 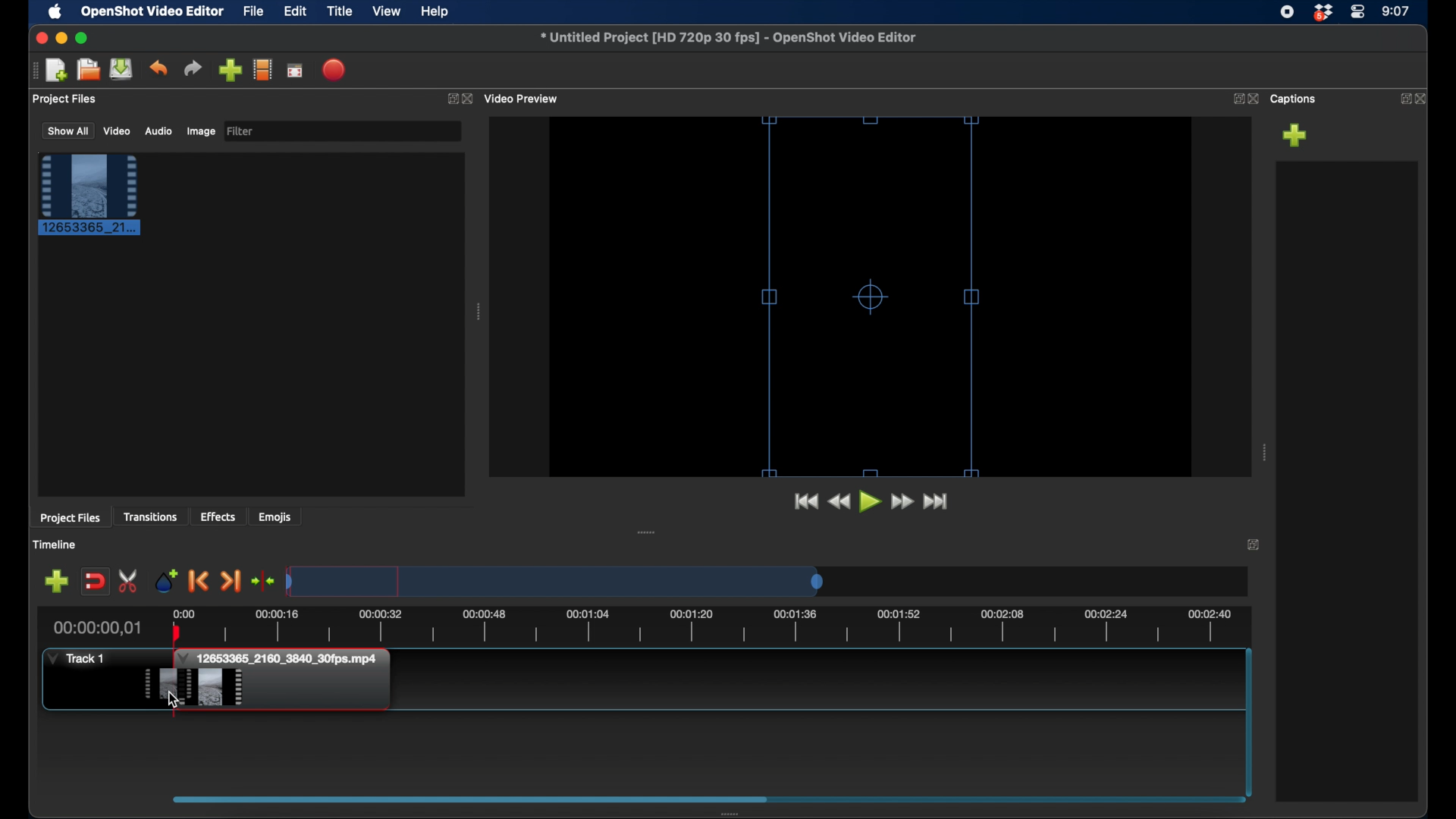 I want to click on transitions, so click(x=152, y=516).